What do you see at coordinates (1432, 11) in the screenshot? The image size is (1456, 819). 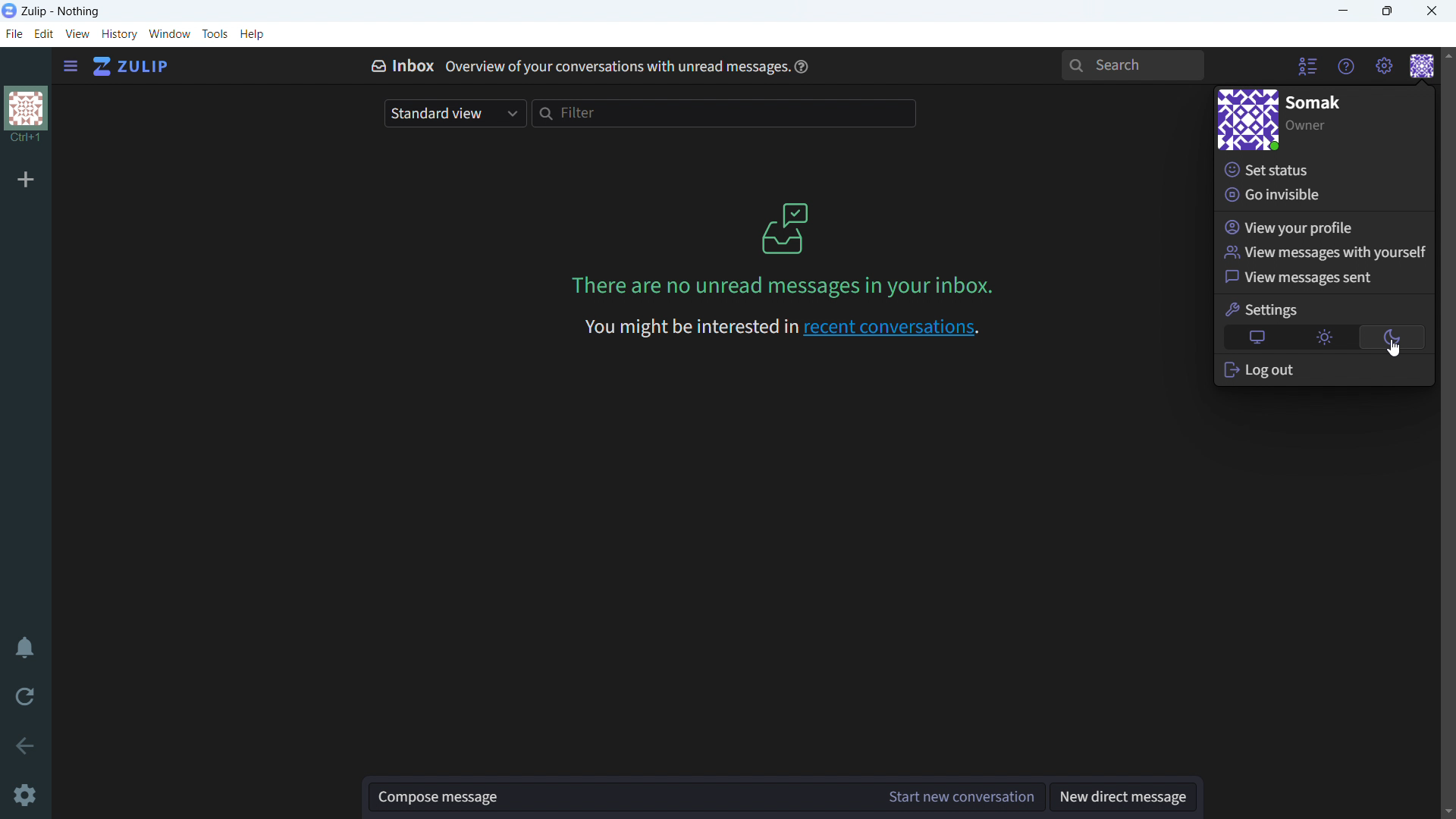 I see `close` at bounding box center [1432, 11].